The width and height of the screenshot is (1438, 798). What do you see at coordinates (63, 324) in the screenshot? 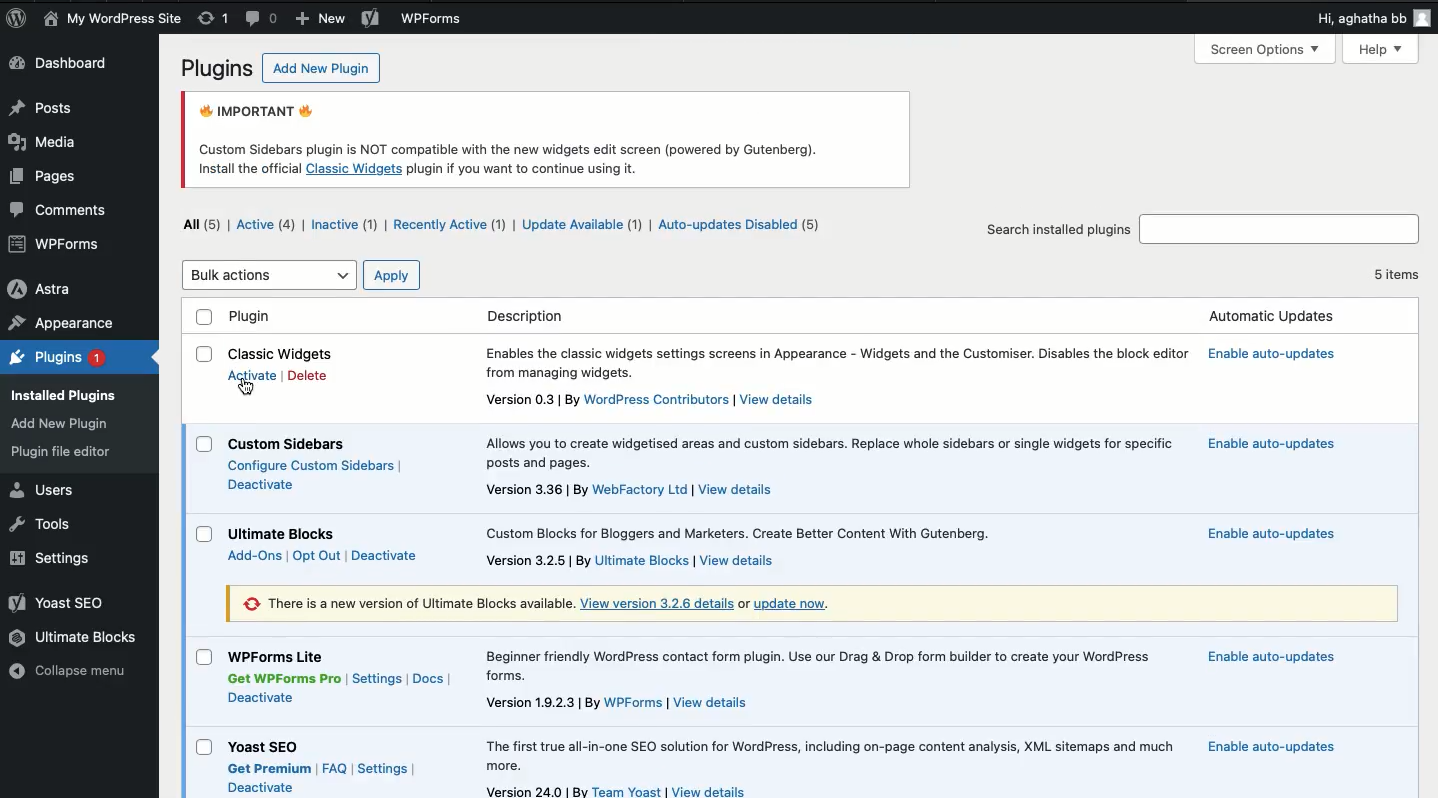
I see `Appearance` at bounding box center [63, 324].